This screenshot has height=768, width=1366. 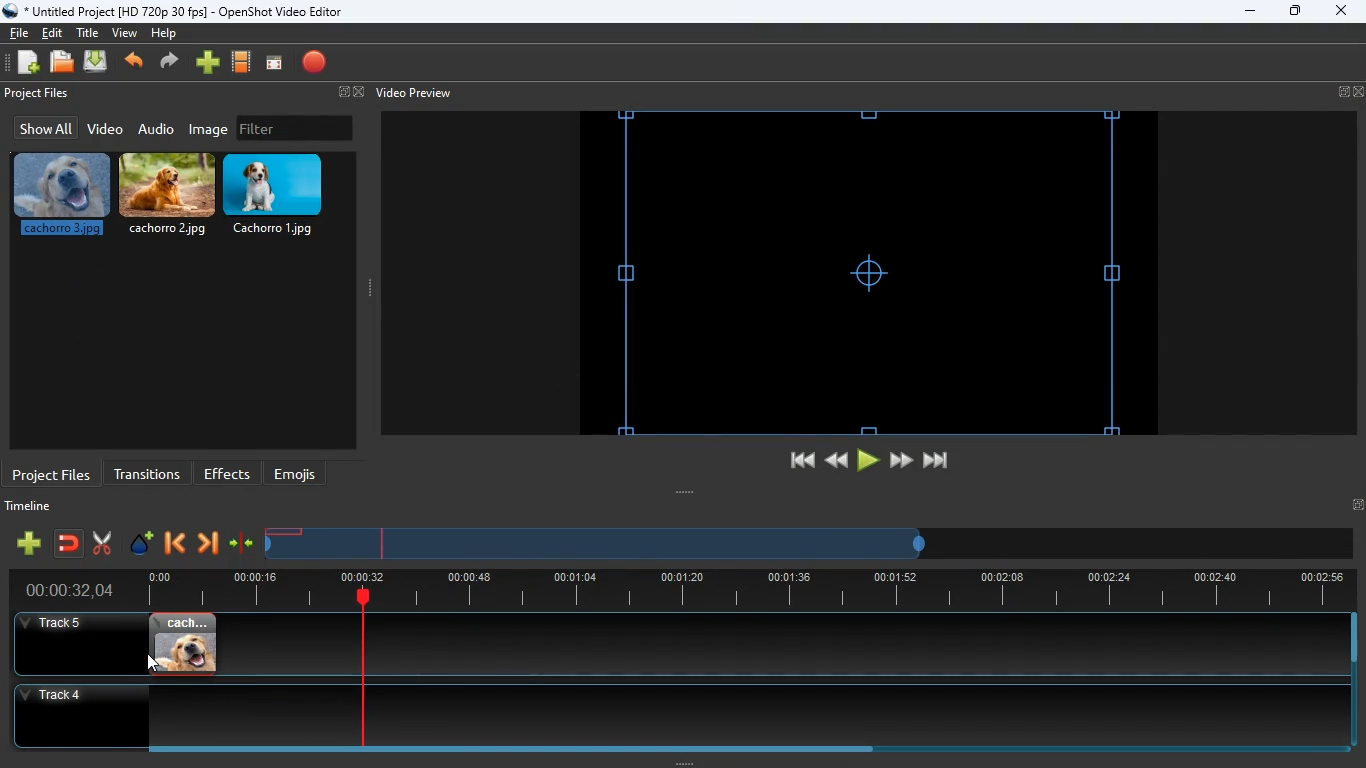 What do you see at coordinates (1250, 12) in the screenshot?
I see `minimize` at bounding box center [1250, 12].